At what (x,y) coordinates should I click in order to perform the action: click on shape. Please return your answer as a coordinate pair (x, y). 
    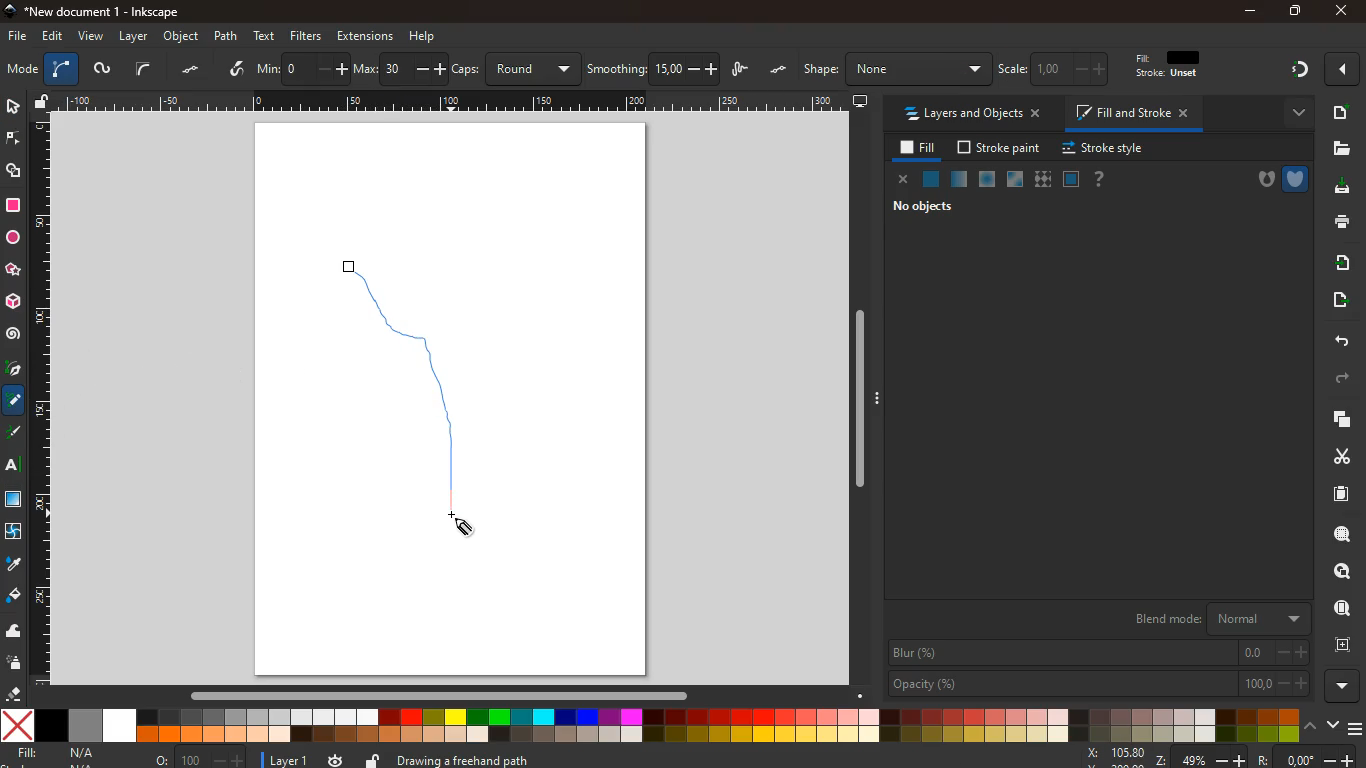
    Looking at the image, I should click on (15, 170).